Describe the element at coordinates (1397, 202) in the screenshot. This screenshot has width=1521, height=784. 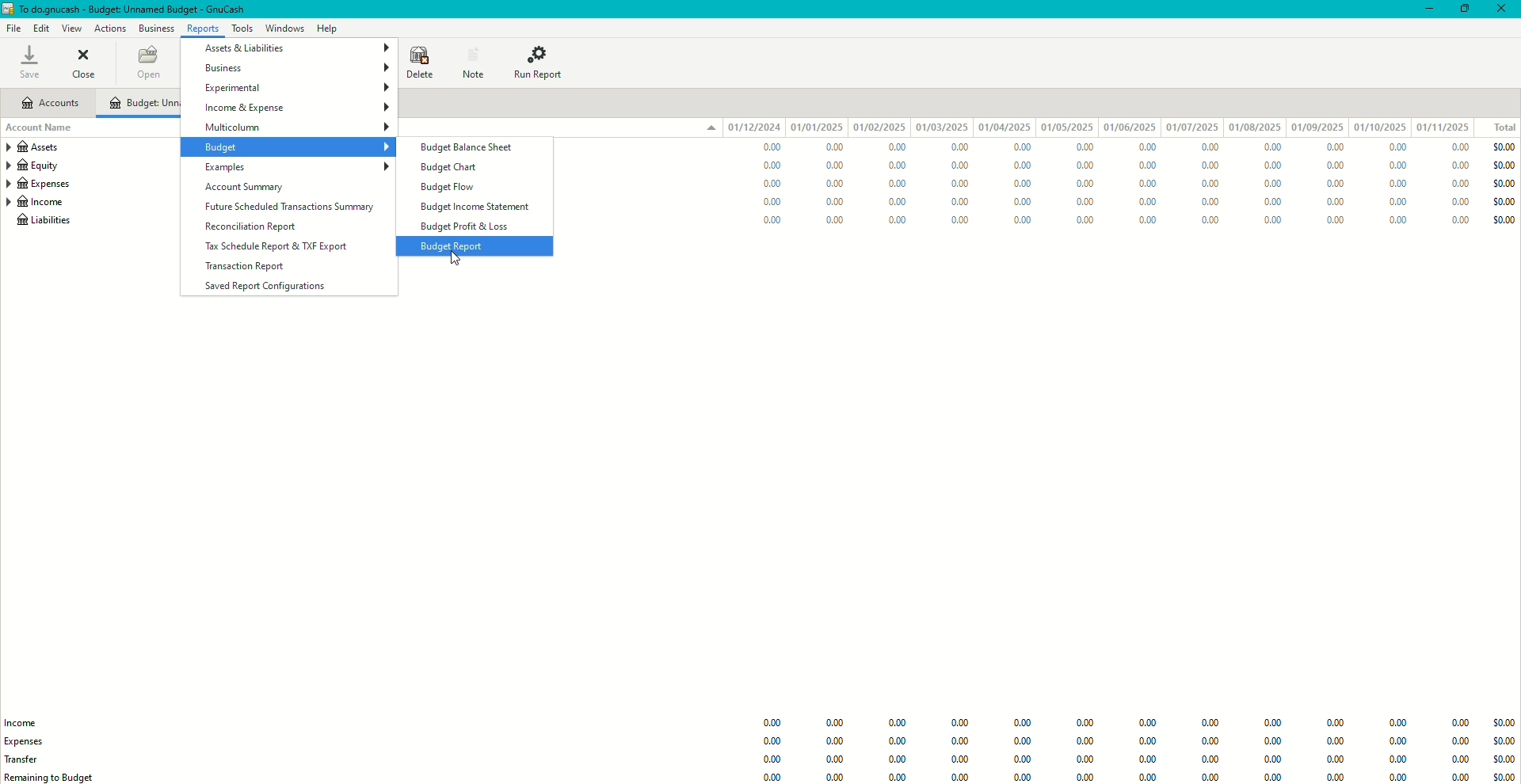
I see `0.00` at that location.